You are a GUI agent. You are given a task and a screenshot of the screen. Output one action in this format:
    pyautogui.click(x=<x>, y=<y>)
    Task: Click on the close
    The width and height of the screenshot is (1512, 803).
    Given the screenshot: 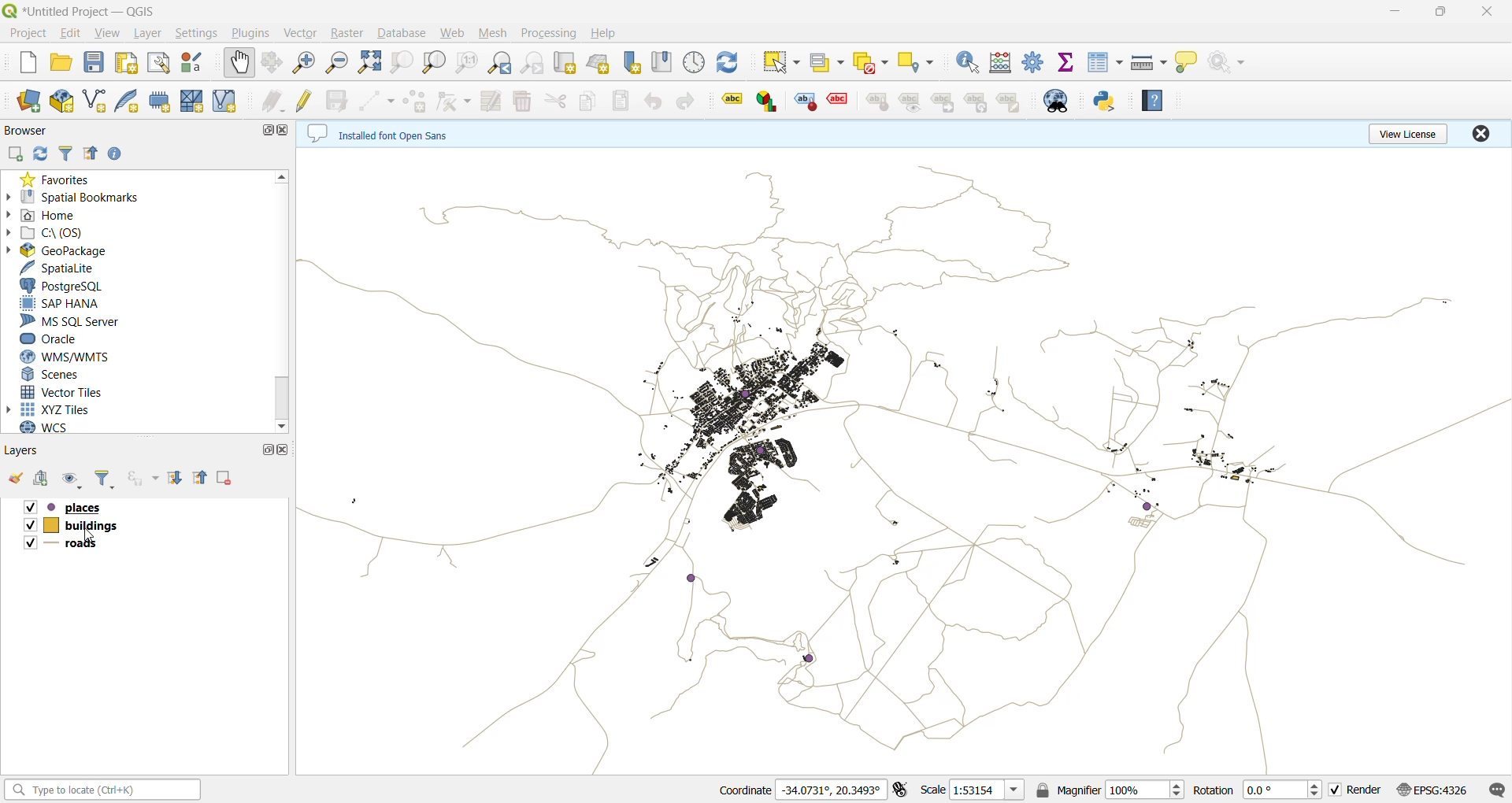 What is the action you would take?
    pyautogui.click(x=1479, y=132)
    